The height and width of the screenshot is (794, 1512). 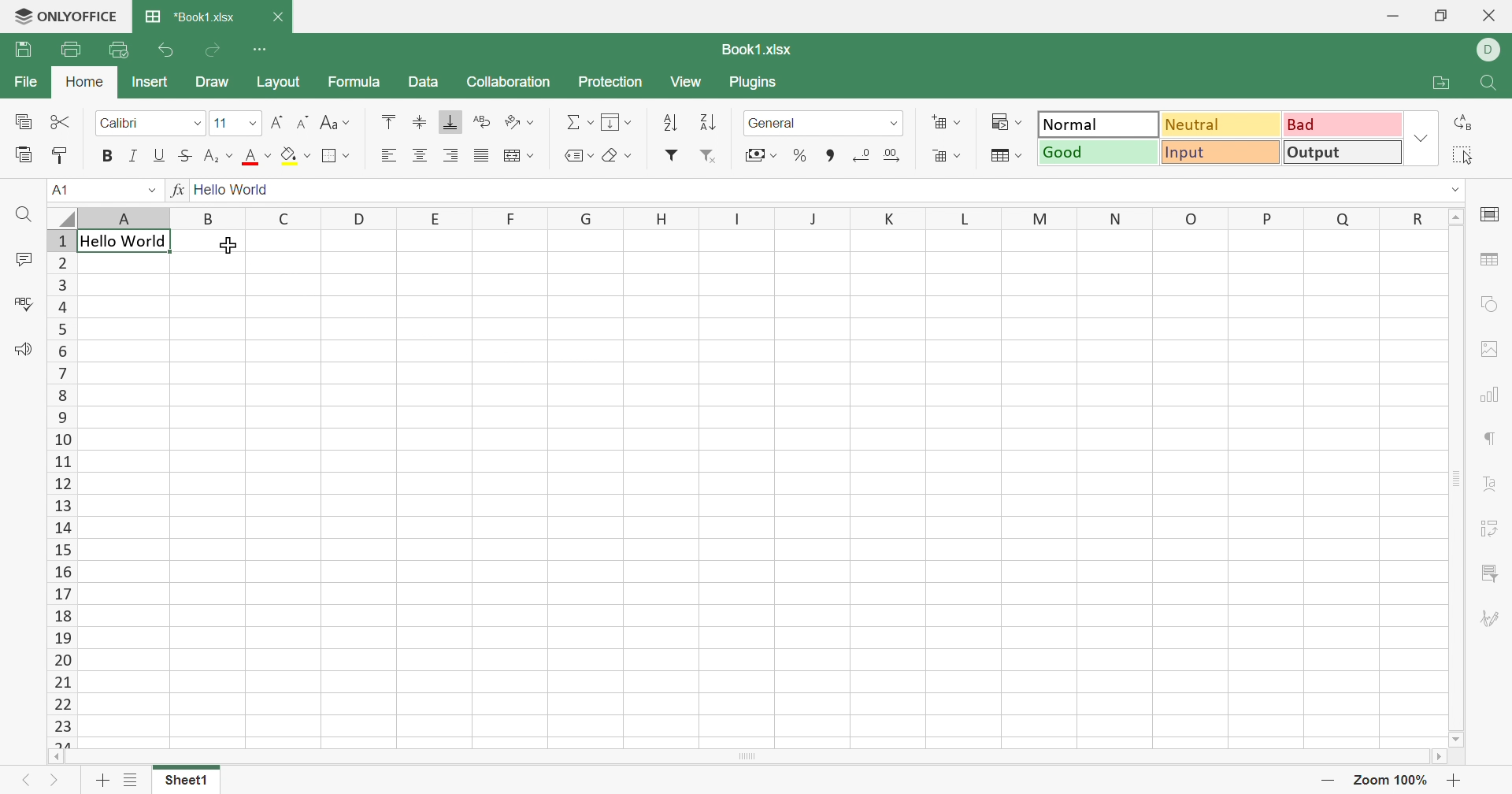 What do you see at coordinates (24, 217) in the screenshot?
I see `Find` at bounding box center [24, 217].